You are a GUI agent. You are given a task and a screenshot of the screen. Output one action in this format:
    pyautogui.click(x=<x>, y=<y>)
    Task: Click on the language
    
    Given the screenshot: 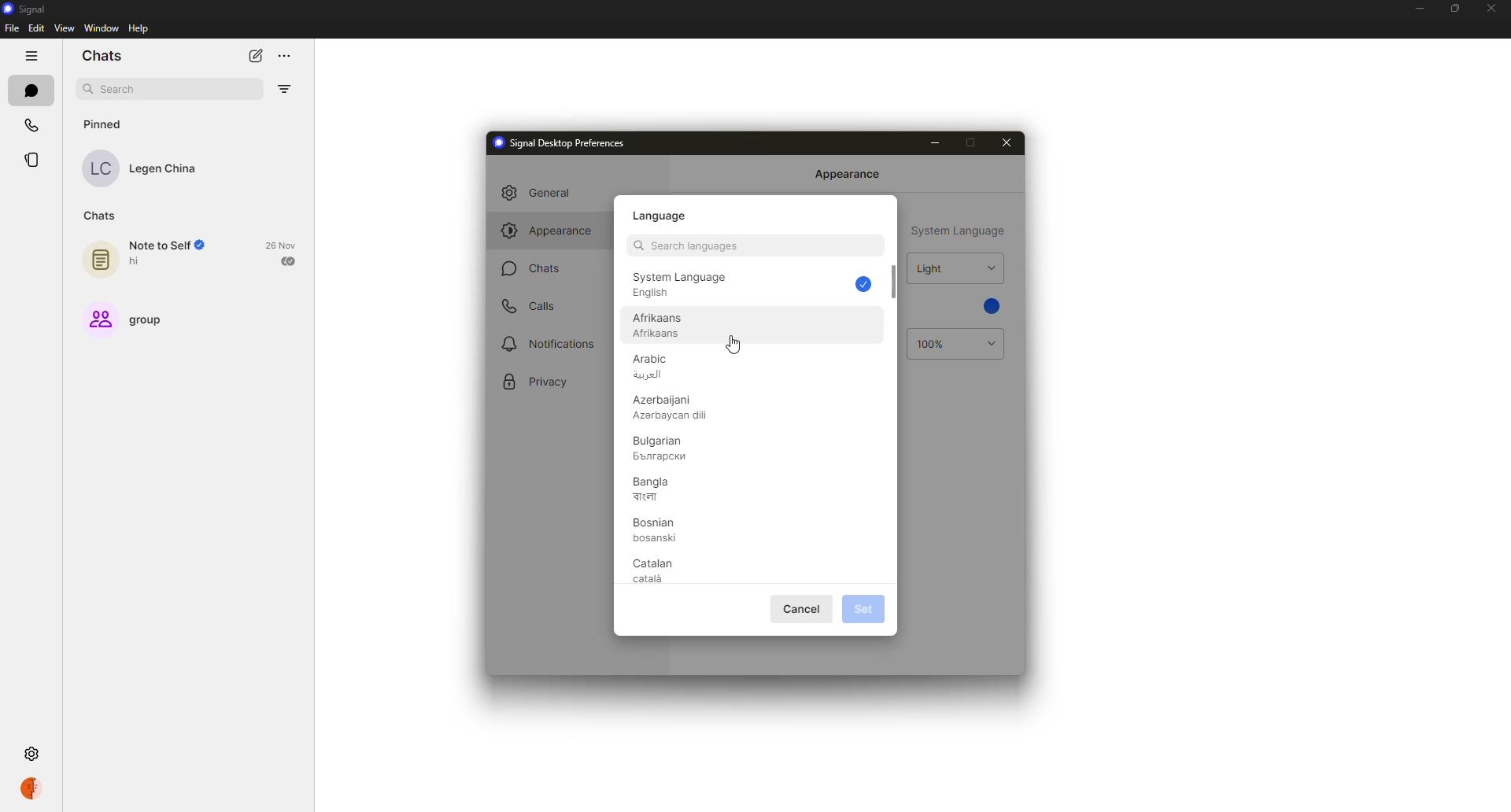 What is the action you would take?
    pyautogui.click(x=663, y=215)
    